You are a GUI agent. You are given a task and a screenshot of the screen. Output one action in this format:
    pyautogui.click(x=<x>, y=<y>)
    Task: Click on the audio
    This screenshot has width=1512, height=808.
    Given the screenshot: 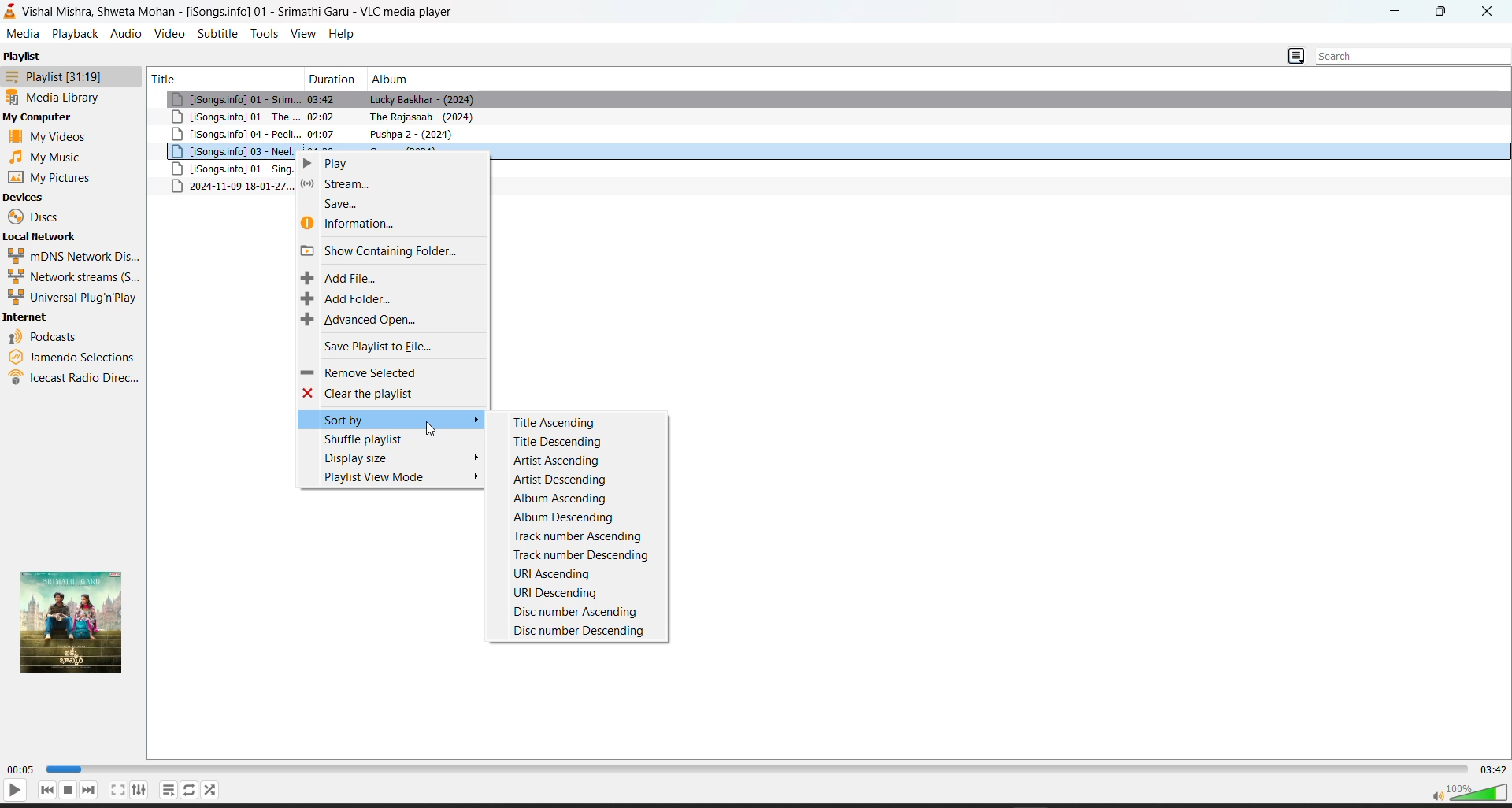 What is the action you would take?
    pyautogui.click(x=128, y=32)
    